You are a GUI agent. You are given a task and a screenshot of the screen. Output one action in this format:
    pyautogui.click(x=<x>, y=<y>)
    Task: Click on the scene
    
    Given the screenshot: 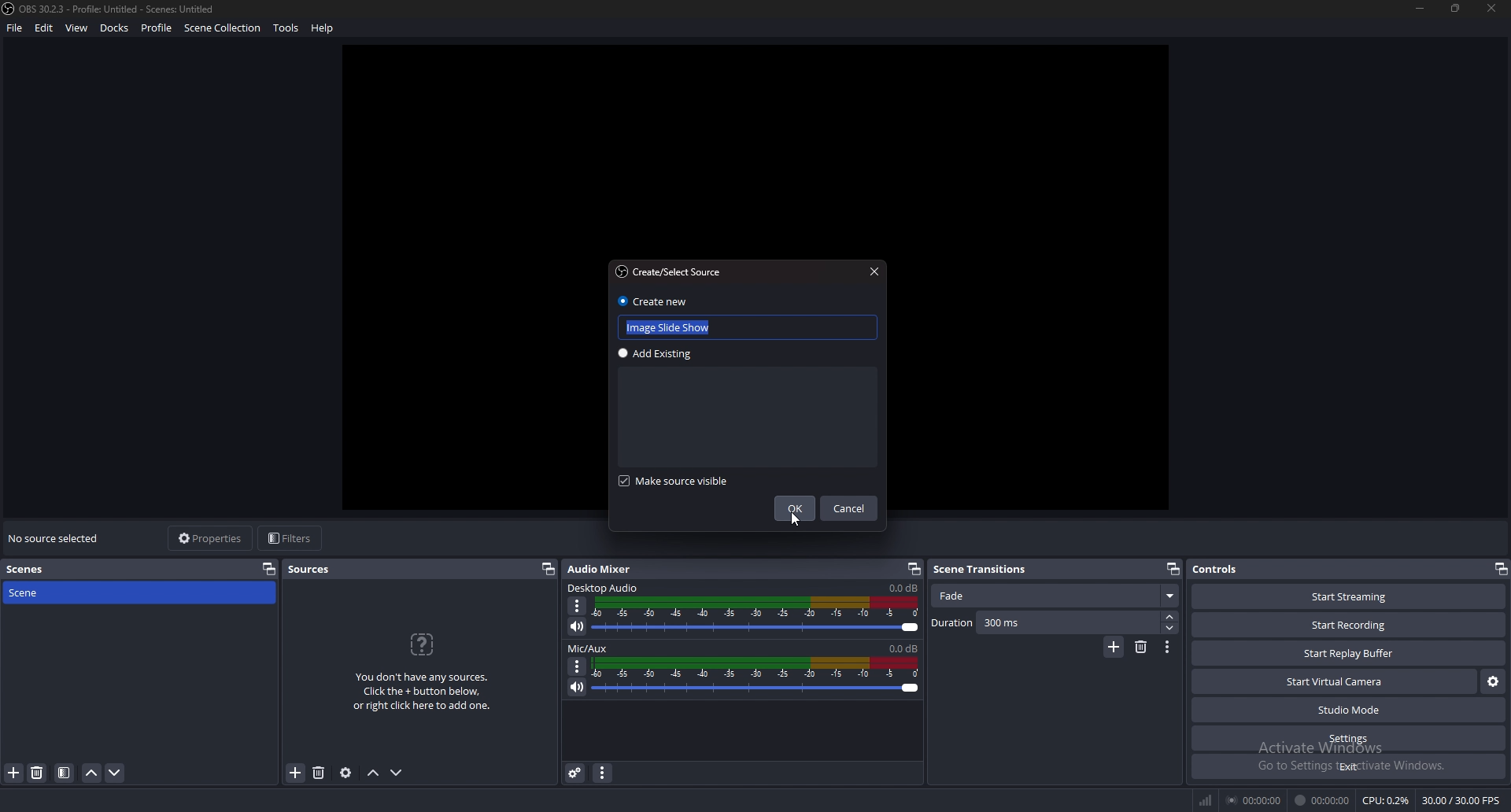 What is the action you would take?
    pyautogui.click(x=54, y=593)
    